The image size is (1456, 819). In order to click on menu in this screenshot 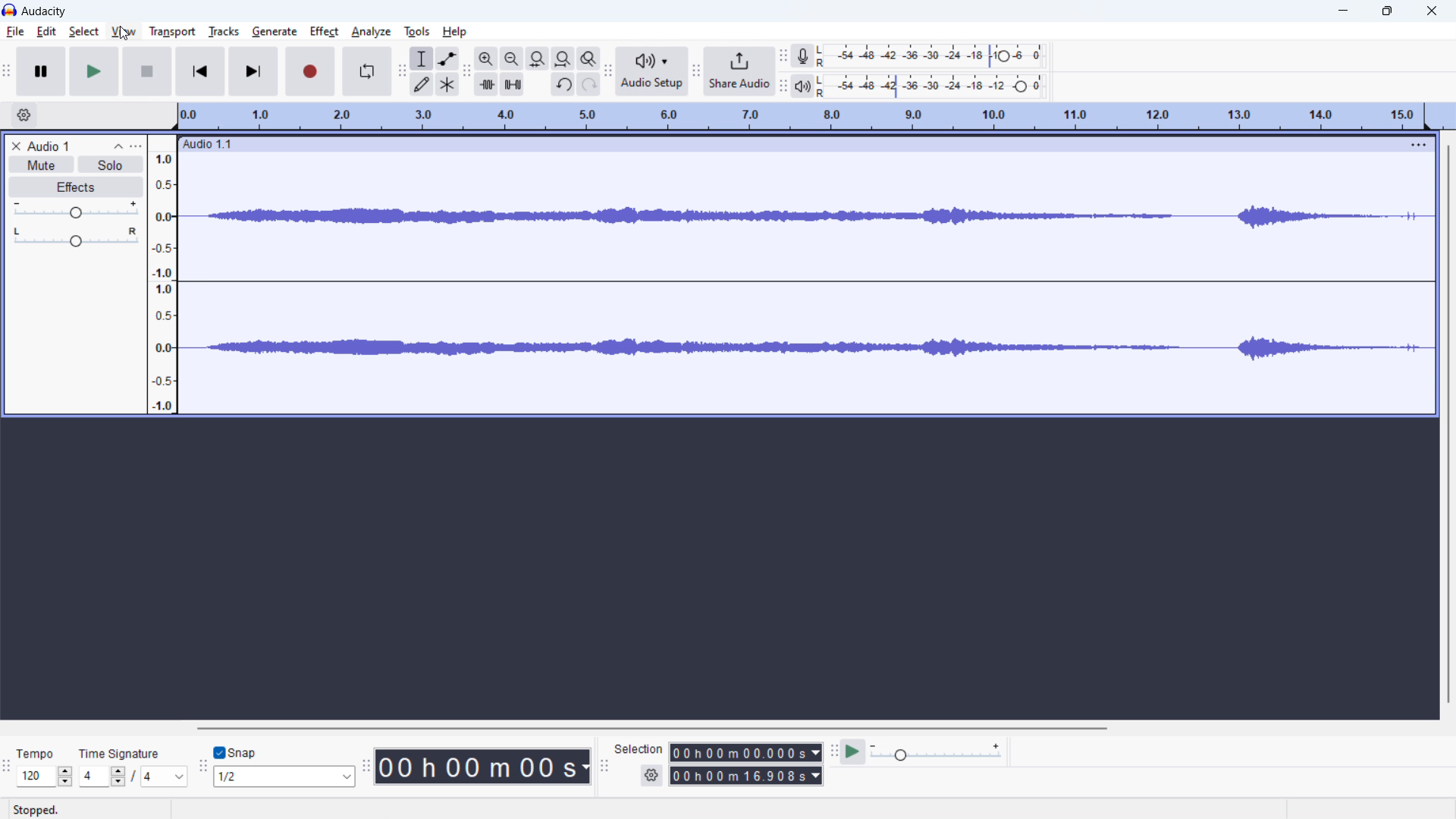, I will do `click(1417, 144)`.